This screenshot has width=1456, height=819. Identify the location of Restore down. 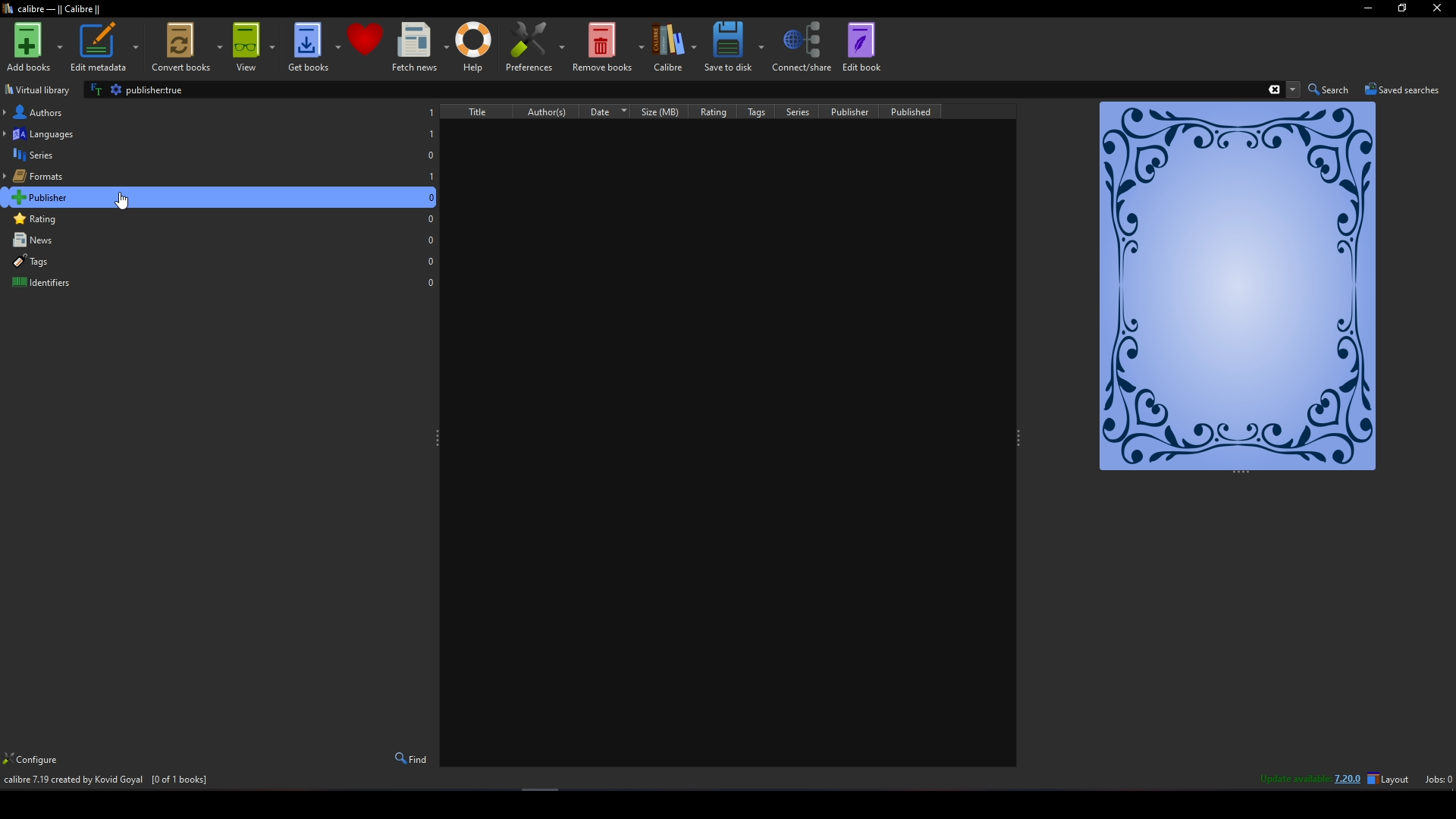
(1403, 8).